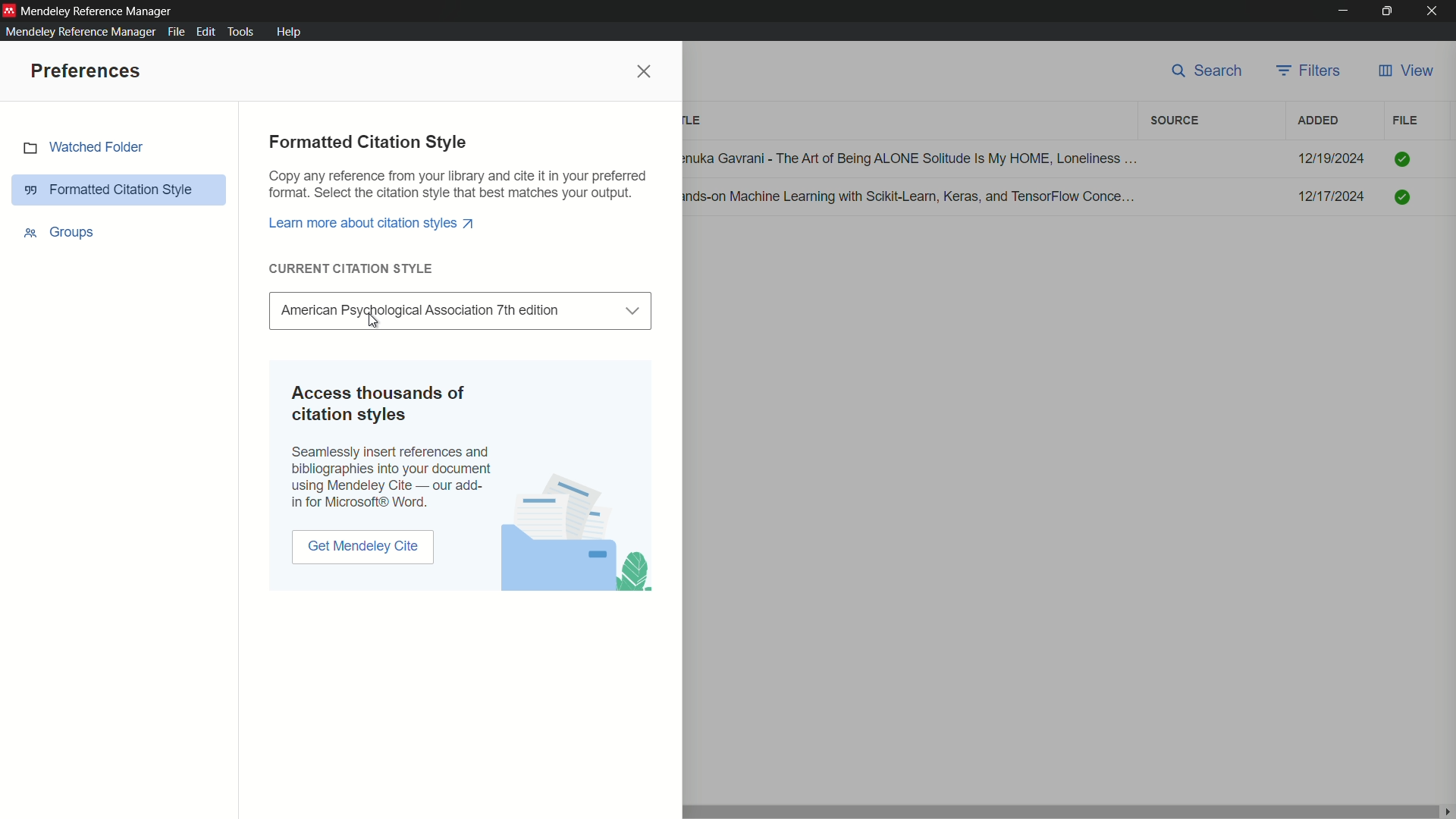 This screenshot has height=819, width=1456. Describe the element at coordinates (460, 310) in the screenshot. I see `Select Citation Style` at that location.